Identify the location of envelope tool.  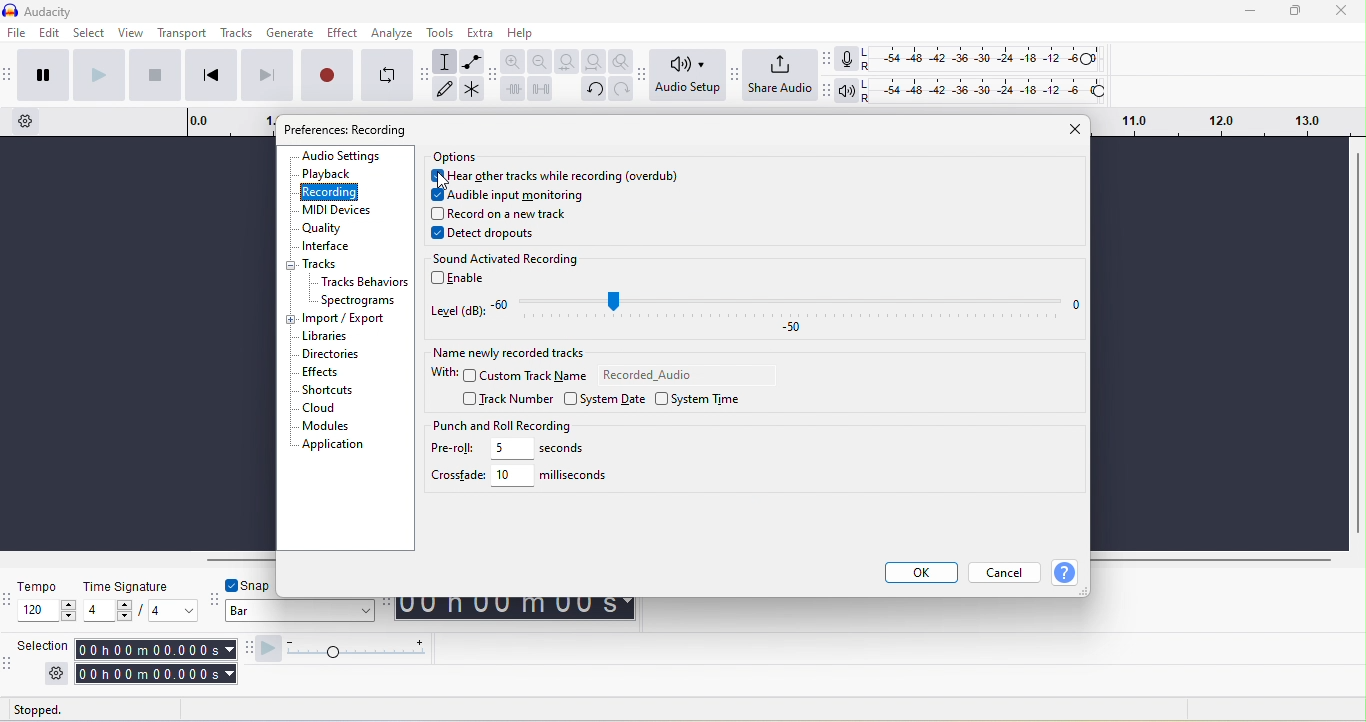
(473, 60).